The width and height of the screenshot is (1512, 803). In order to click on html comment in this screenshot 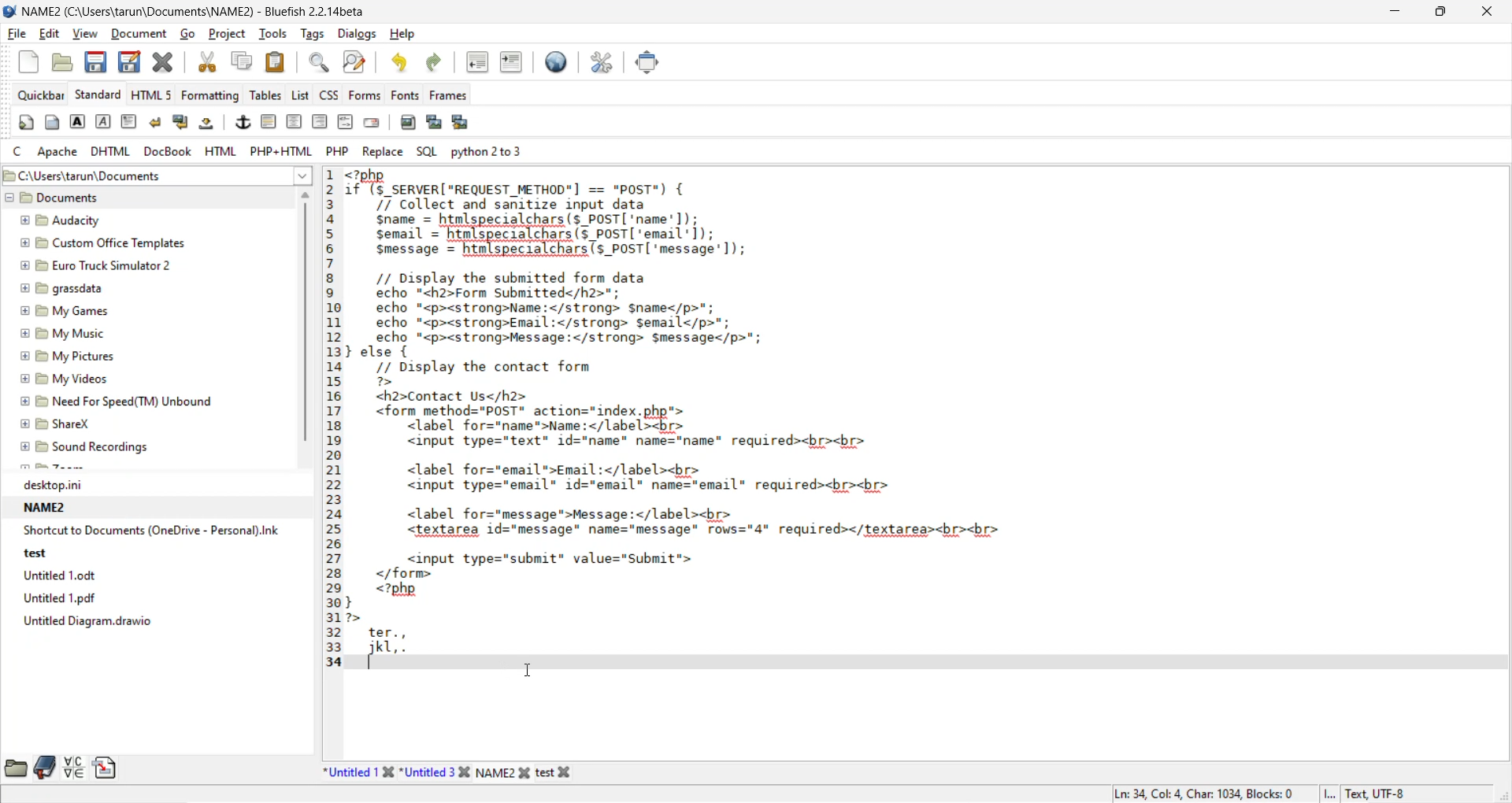, I will do `click(345, 121)`.